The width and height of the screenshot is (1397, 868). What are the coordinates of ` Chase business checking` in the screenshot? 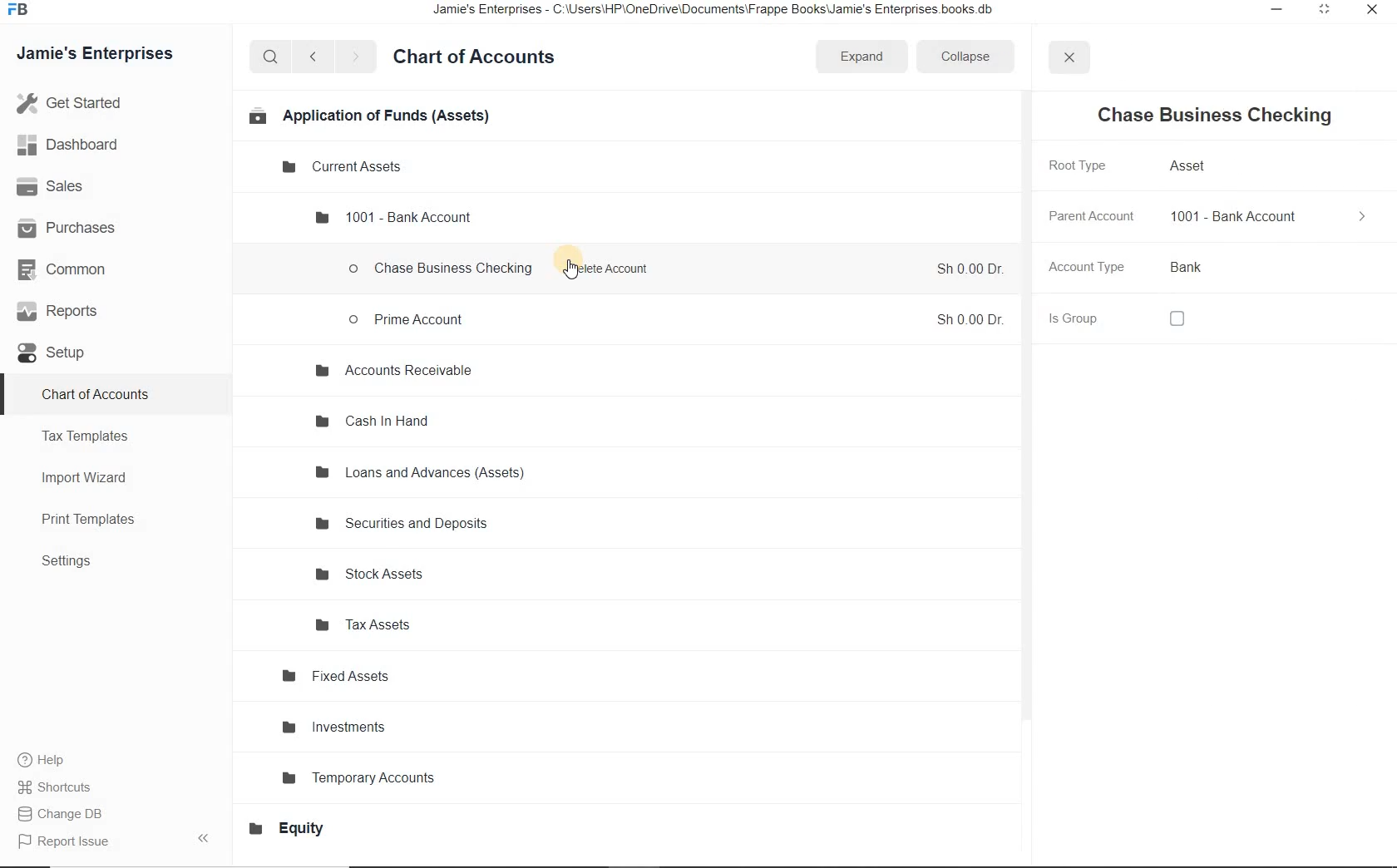 It's located at (442, 271).